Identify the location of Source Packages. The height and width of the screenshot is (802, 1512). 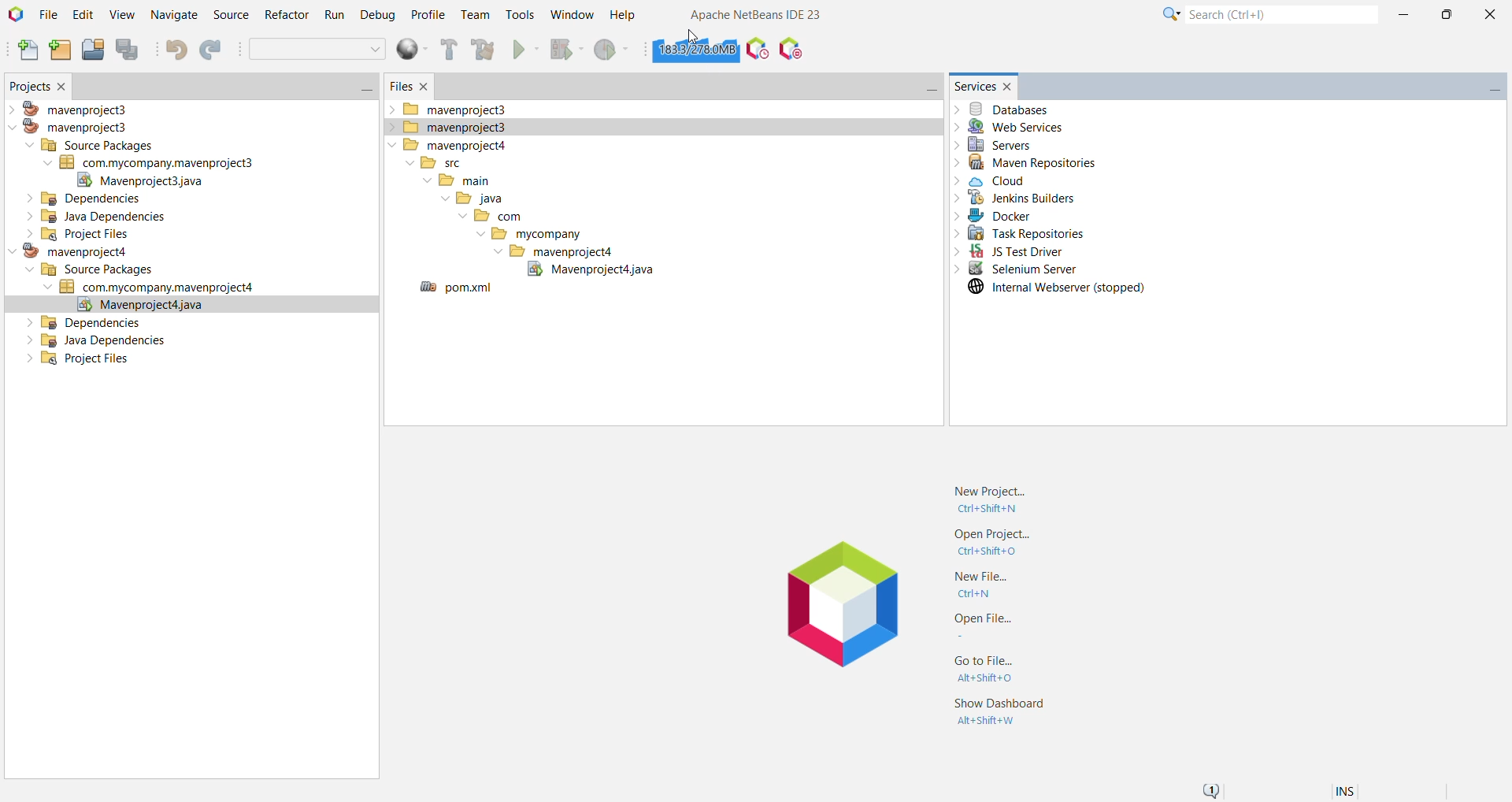
(90, 145).